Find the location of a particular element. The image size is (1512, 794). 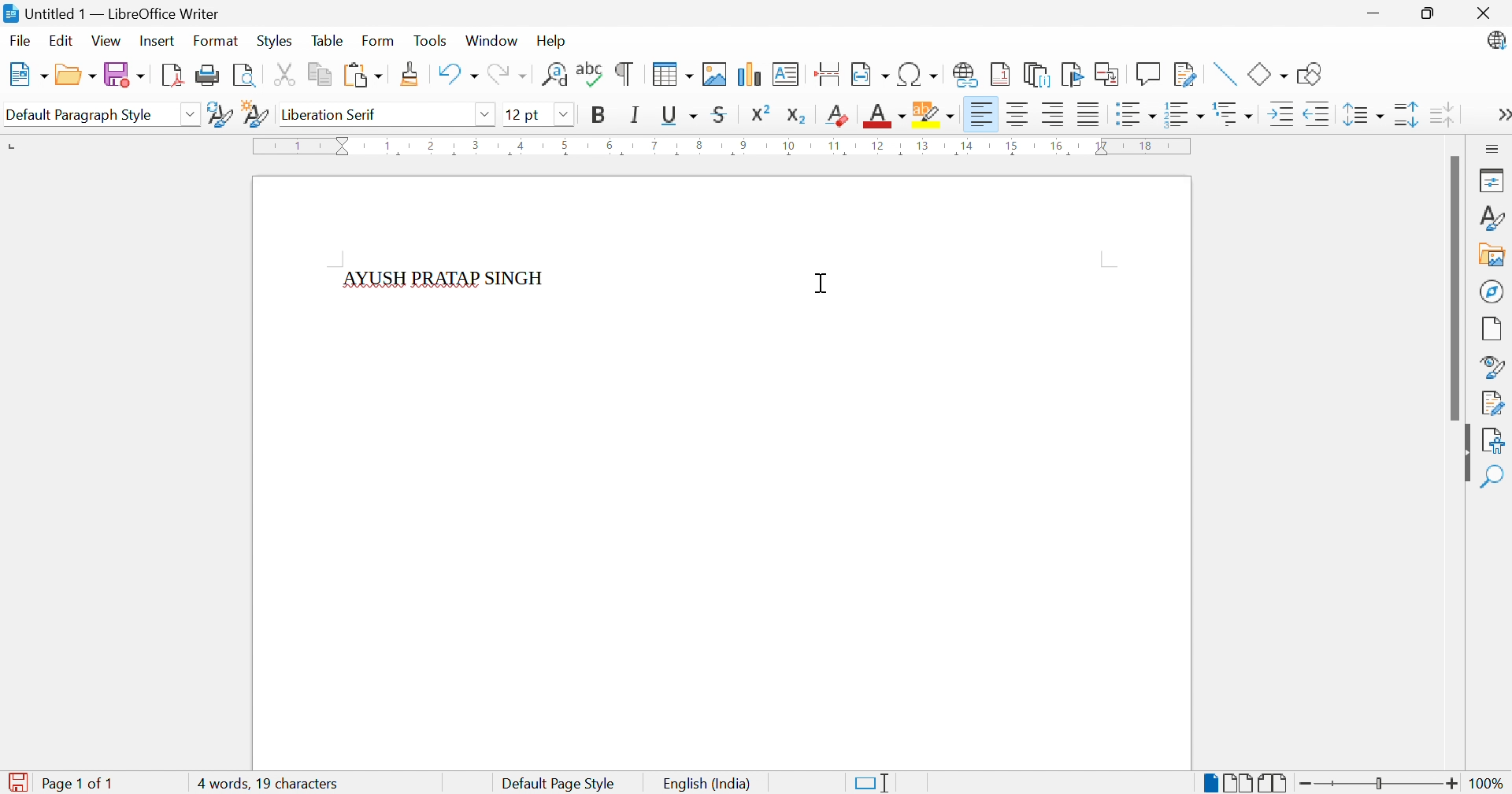

English (India) is located at coordinates (711, 783).